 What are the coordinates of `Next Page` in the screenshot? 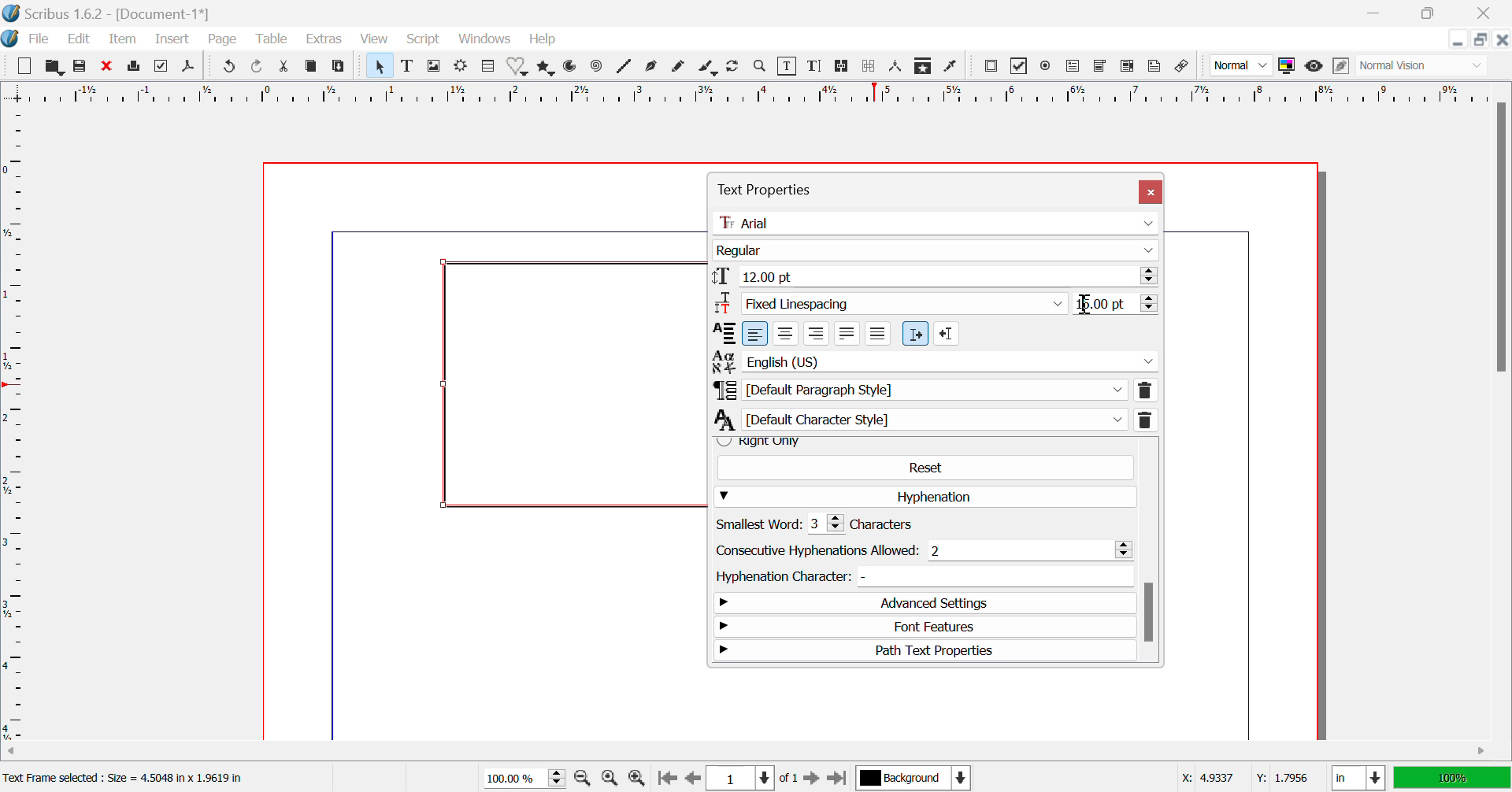 It's located at (813, 777).